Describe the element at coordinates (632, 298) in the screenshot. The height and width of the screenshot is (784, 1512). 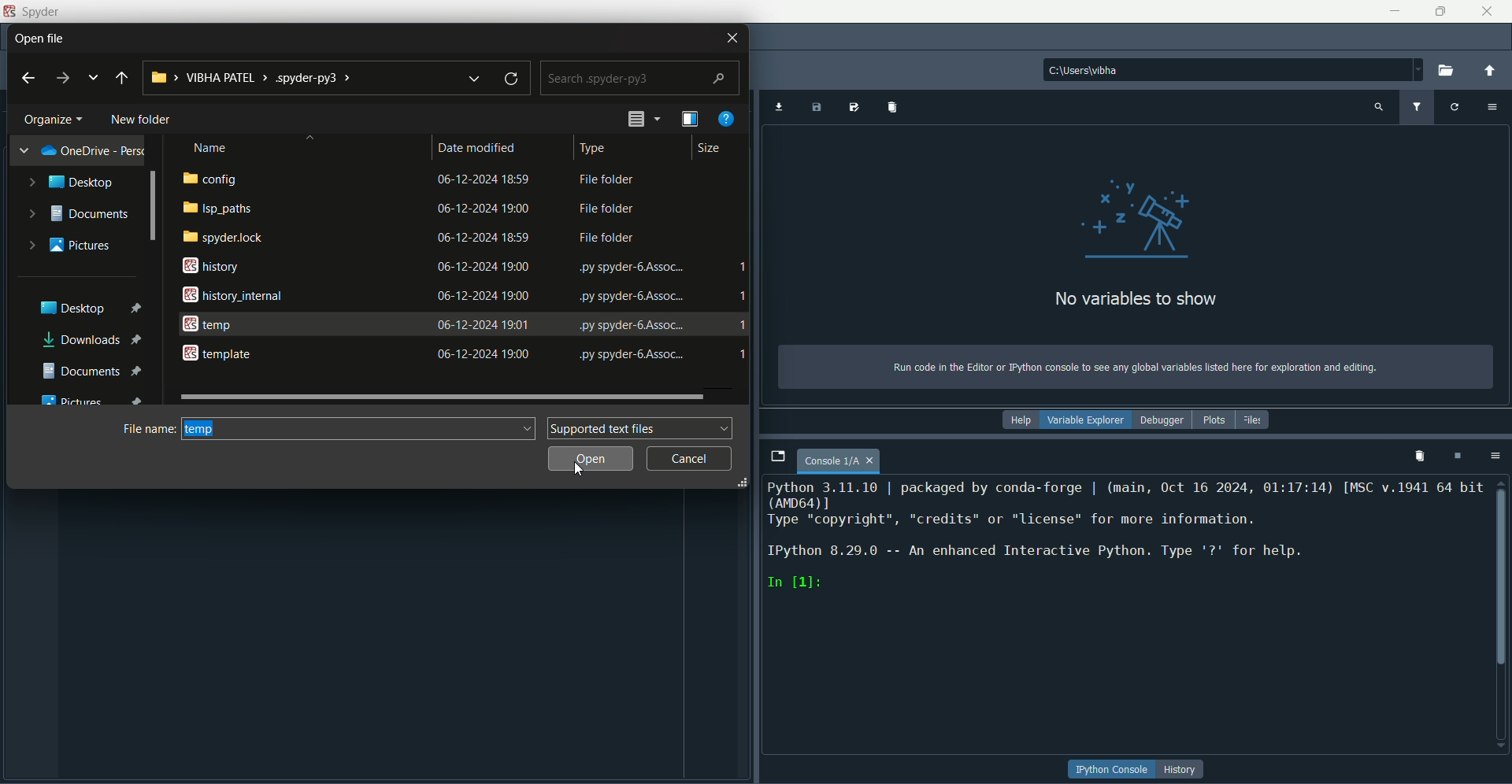
I see `text` at that location.